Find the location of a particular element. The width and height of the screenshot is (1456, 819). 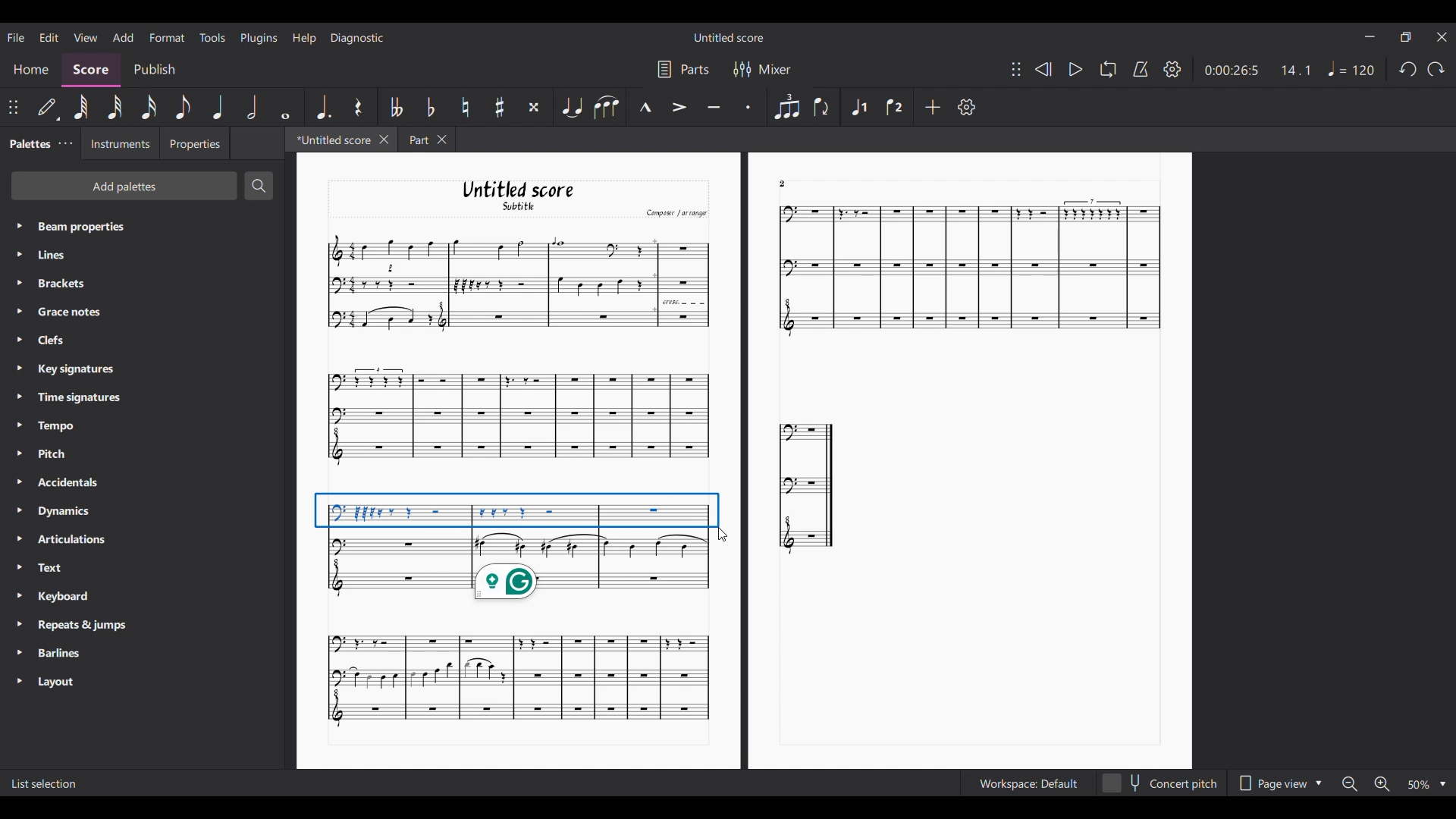

Tuplet is located at coordinates (786, 106).